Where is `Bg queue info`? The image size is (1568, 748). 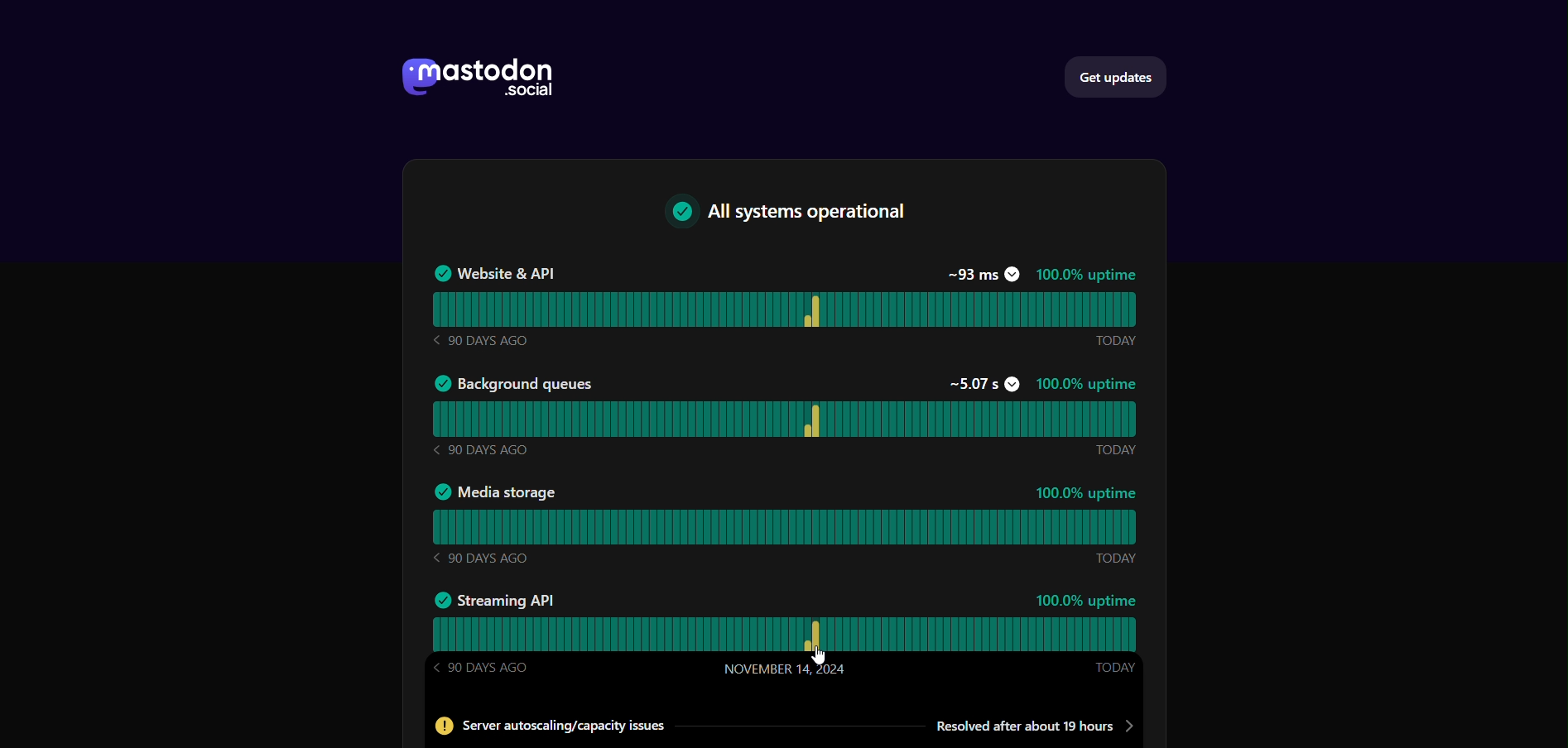 Bg queue info is located at coordinates (513, 382).